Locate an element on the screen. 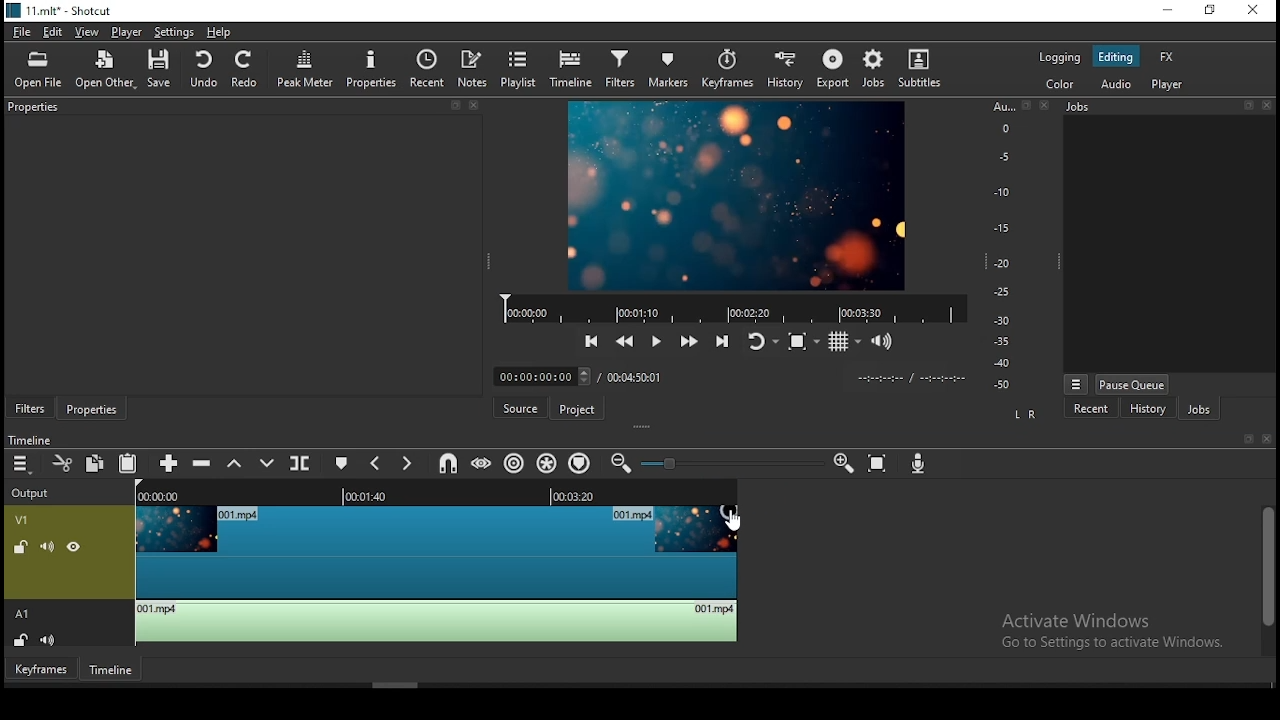 The image size is (1280, 720). notes is located at coordinates (474, 69).